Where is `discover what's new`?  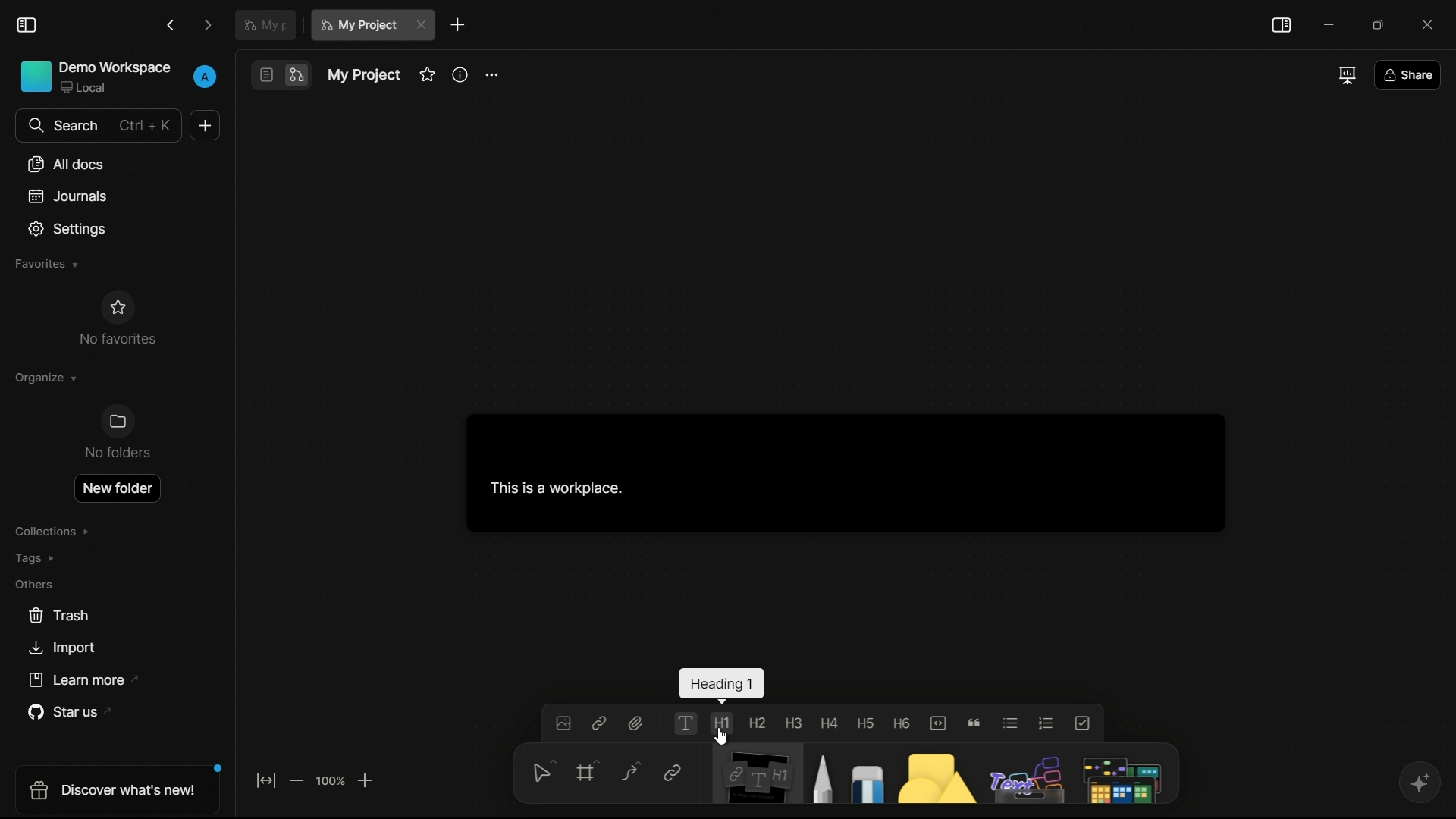
discover what's new is located at coordinates (113, 793).